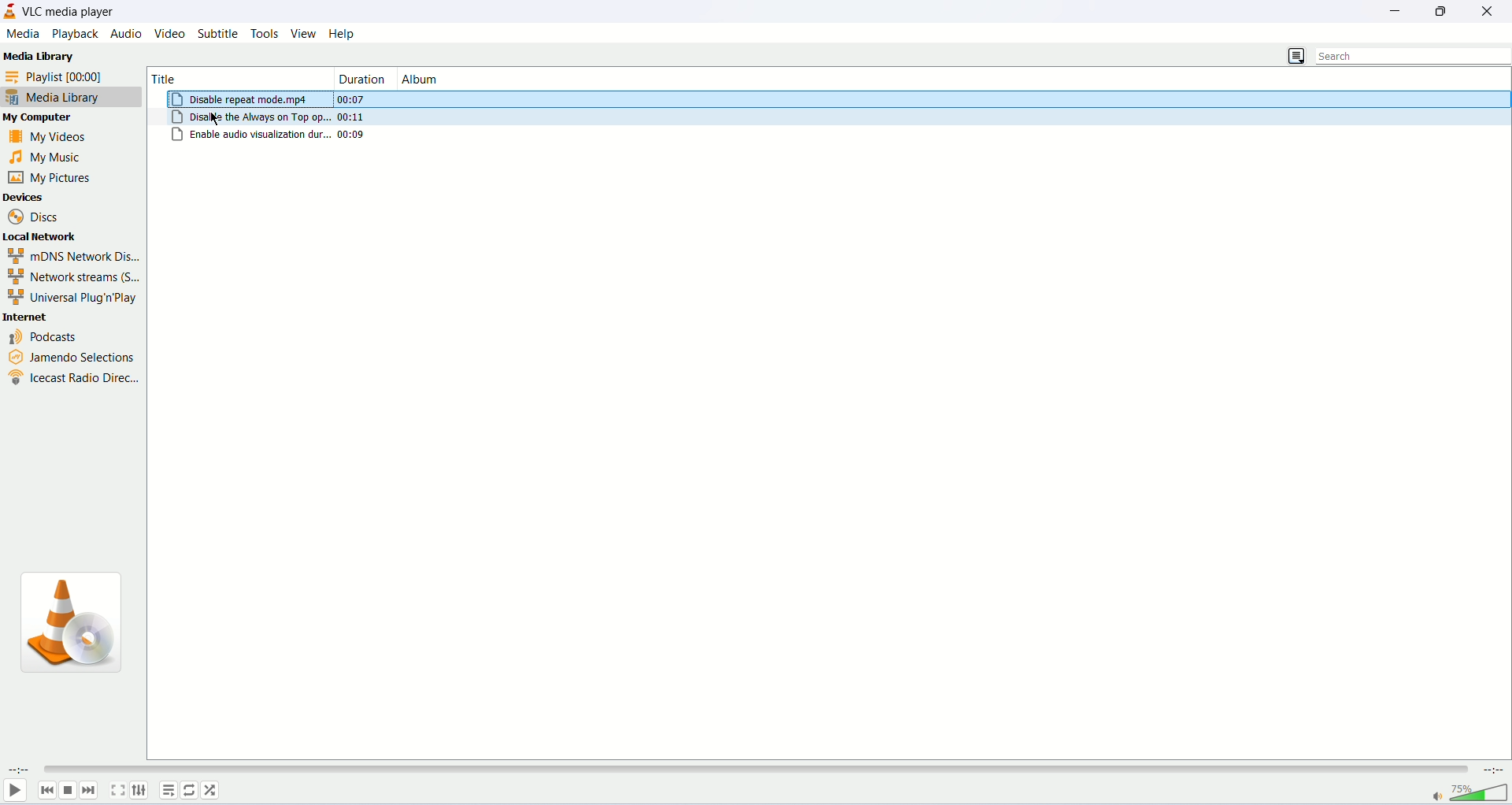 The width and height of the screenshot is (1512, 805). I want to click on playlist, so click(70, 76).